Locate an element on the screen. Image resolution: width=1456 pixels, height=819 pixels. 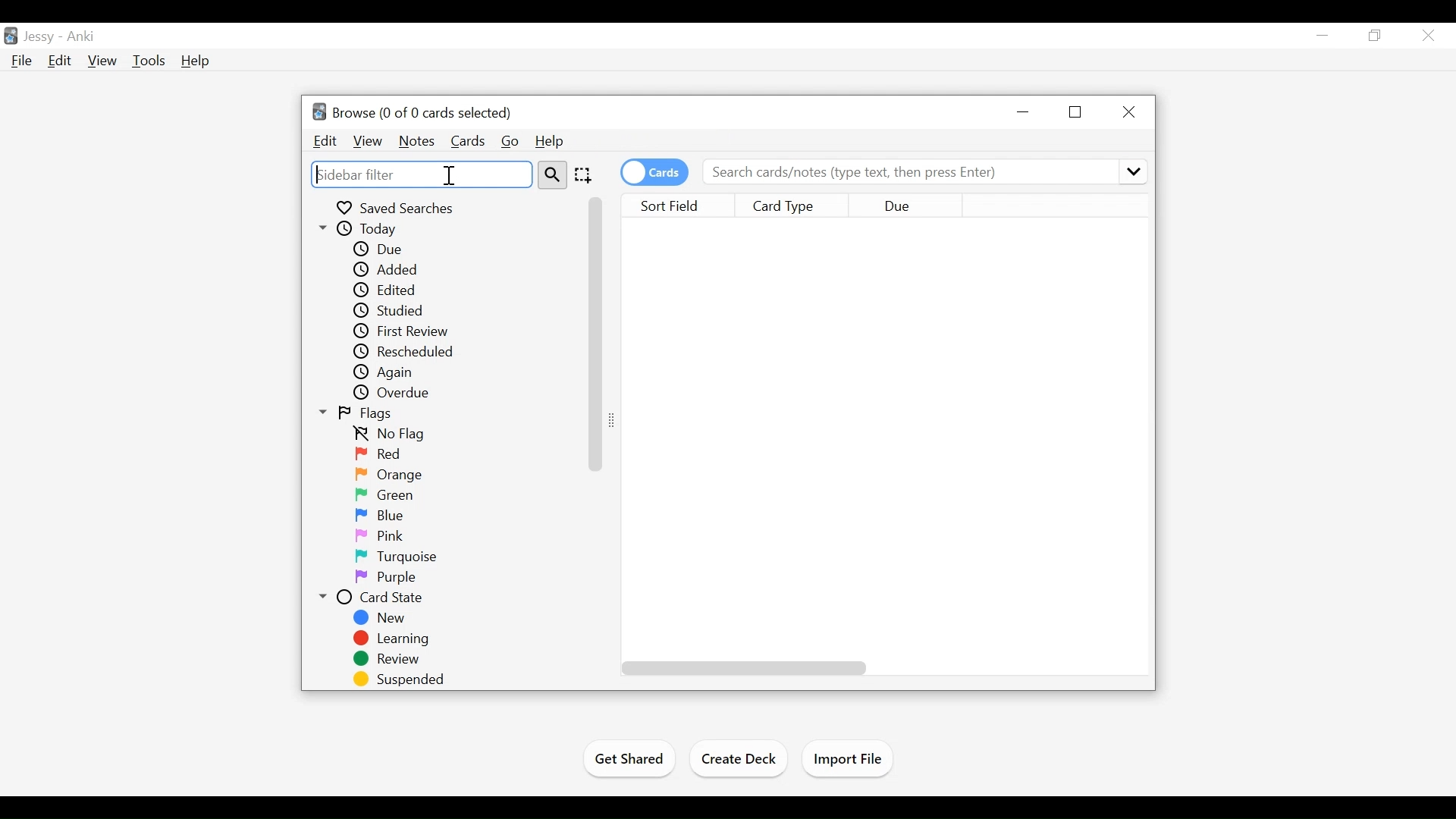
User Name is located at coordinates (39, 37).